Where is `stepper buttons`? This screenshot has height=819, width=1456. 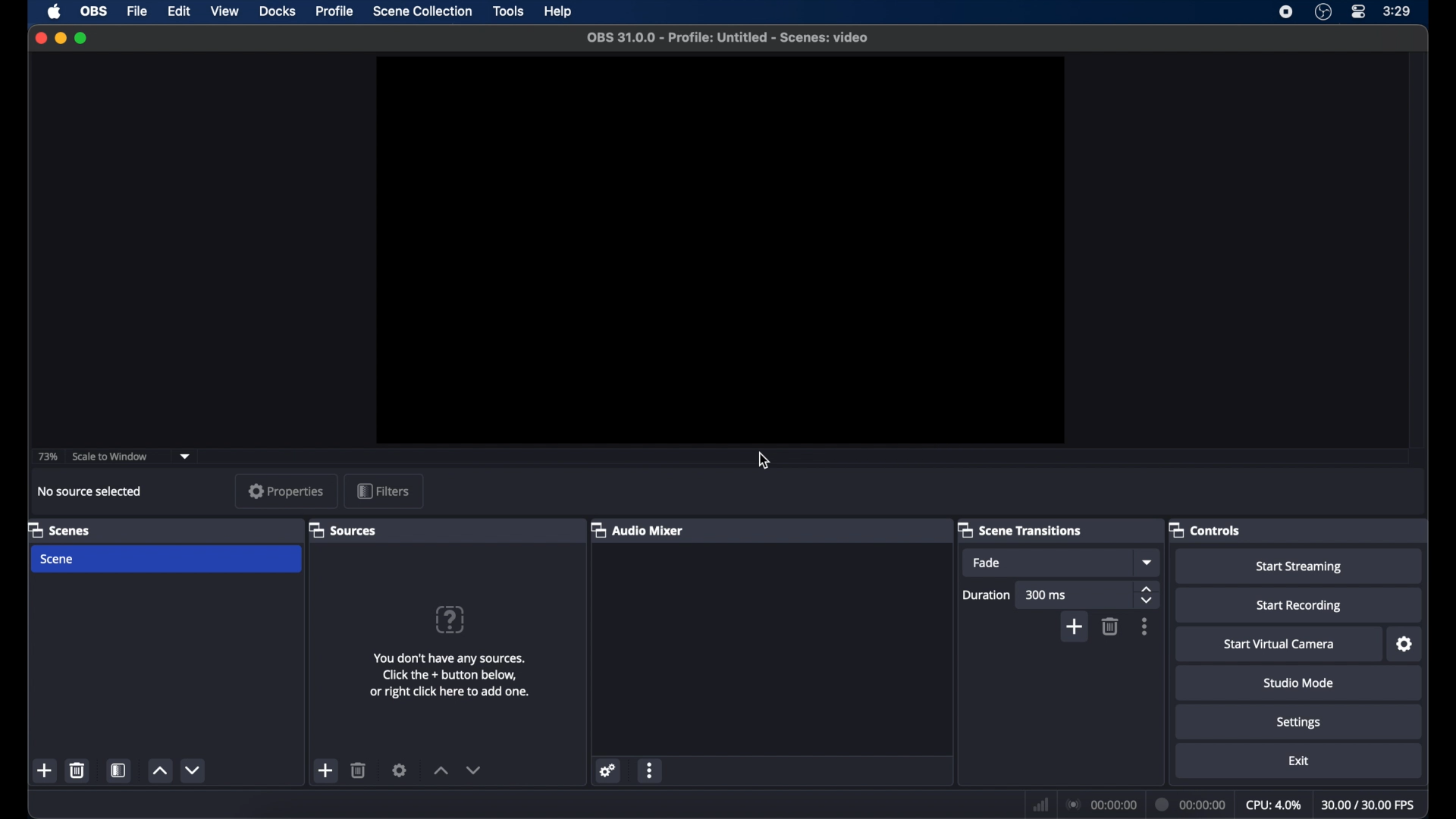 stepper buttons is located at coordinates (1147, 595).